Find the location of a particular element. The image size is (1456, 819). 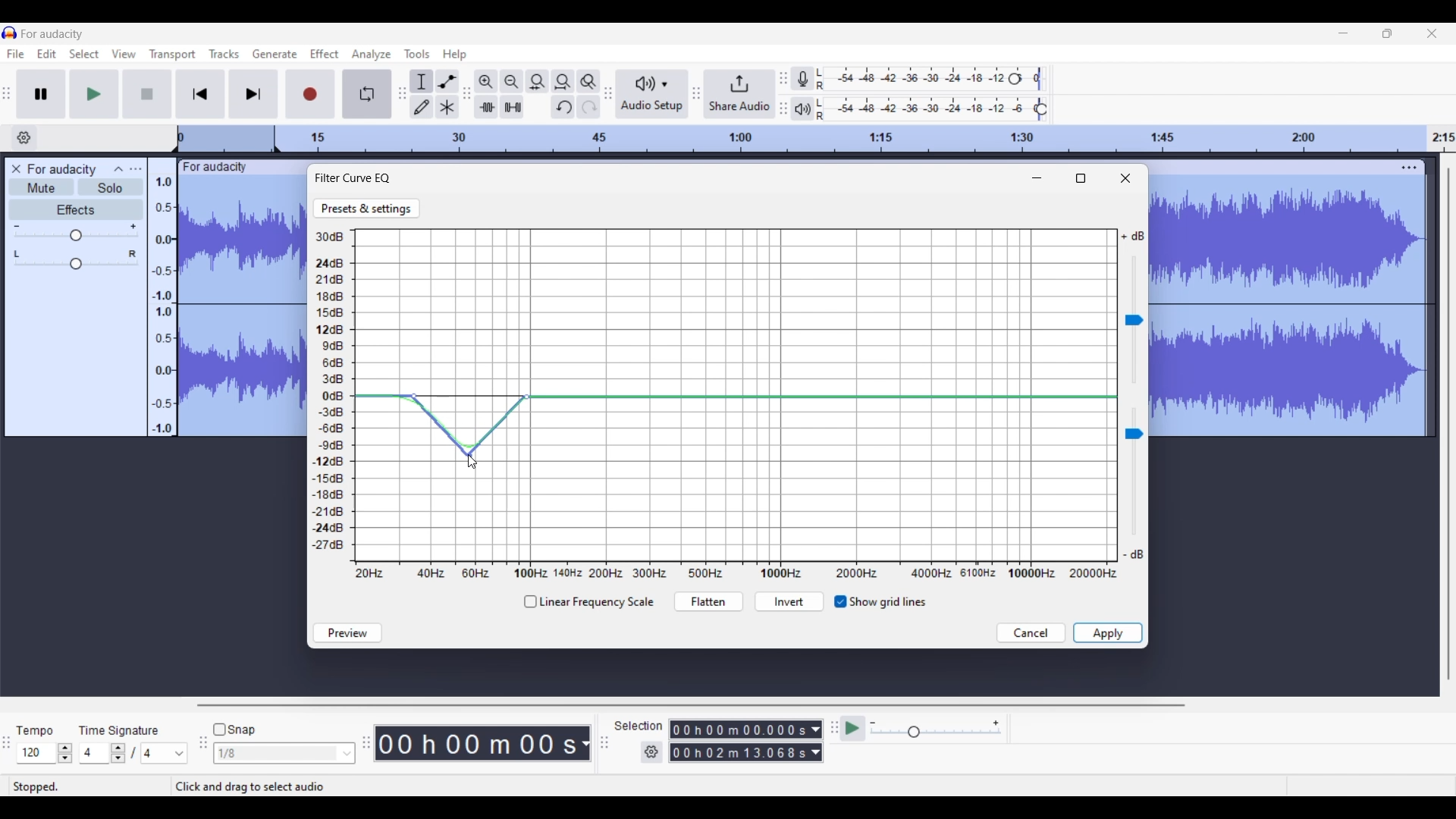

Tools menu is located at coordinates (416, 54).